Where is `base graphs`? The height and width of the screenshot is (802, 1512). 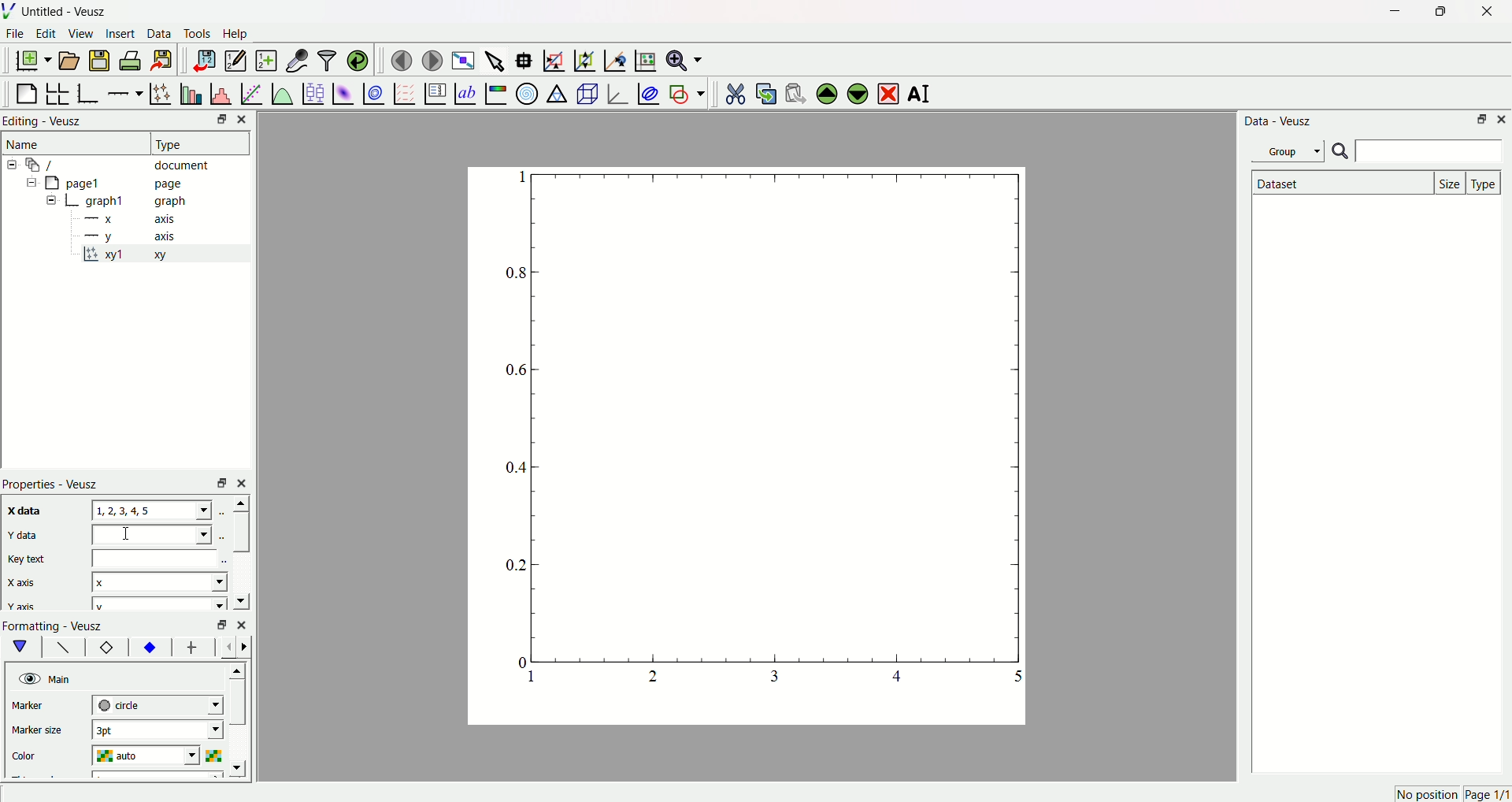 base graphs is located at coordinates (90, 91).